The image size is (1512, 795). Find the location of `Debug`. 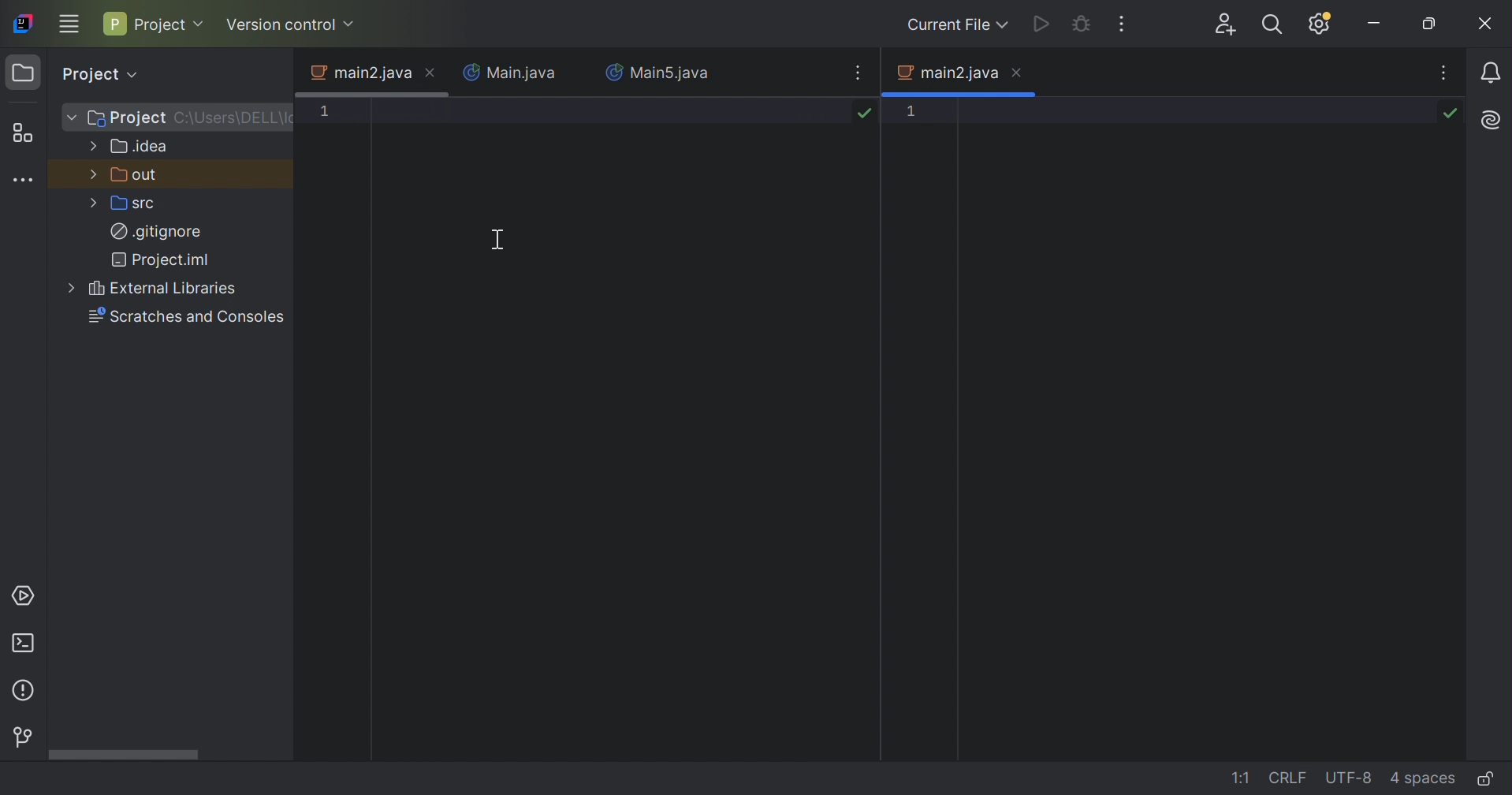

Debug is located at coordinates (1084, 23).